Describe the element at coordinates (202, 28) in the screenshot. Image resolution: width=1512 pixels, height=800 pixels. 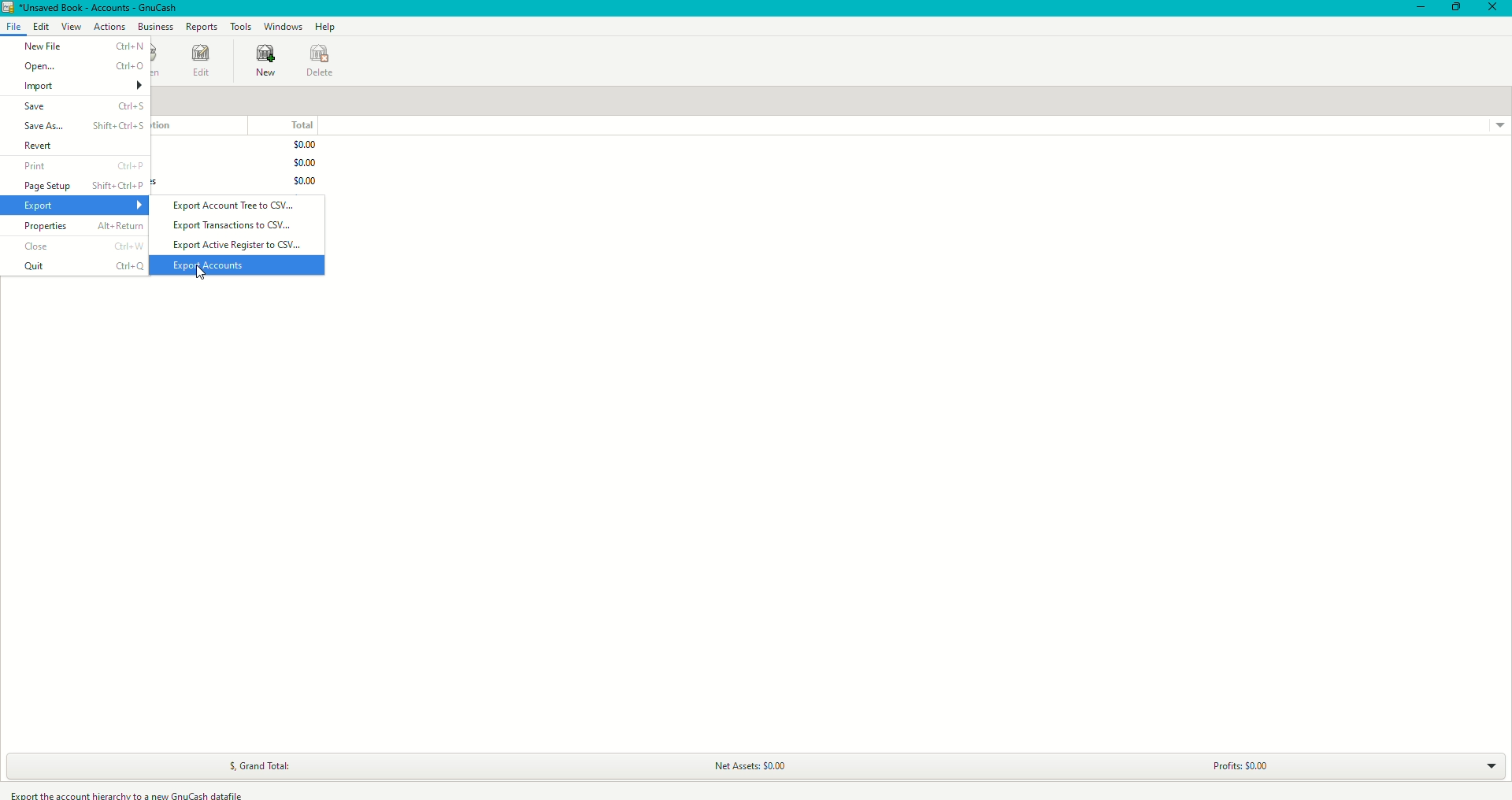
I see `Reports` at that location.